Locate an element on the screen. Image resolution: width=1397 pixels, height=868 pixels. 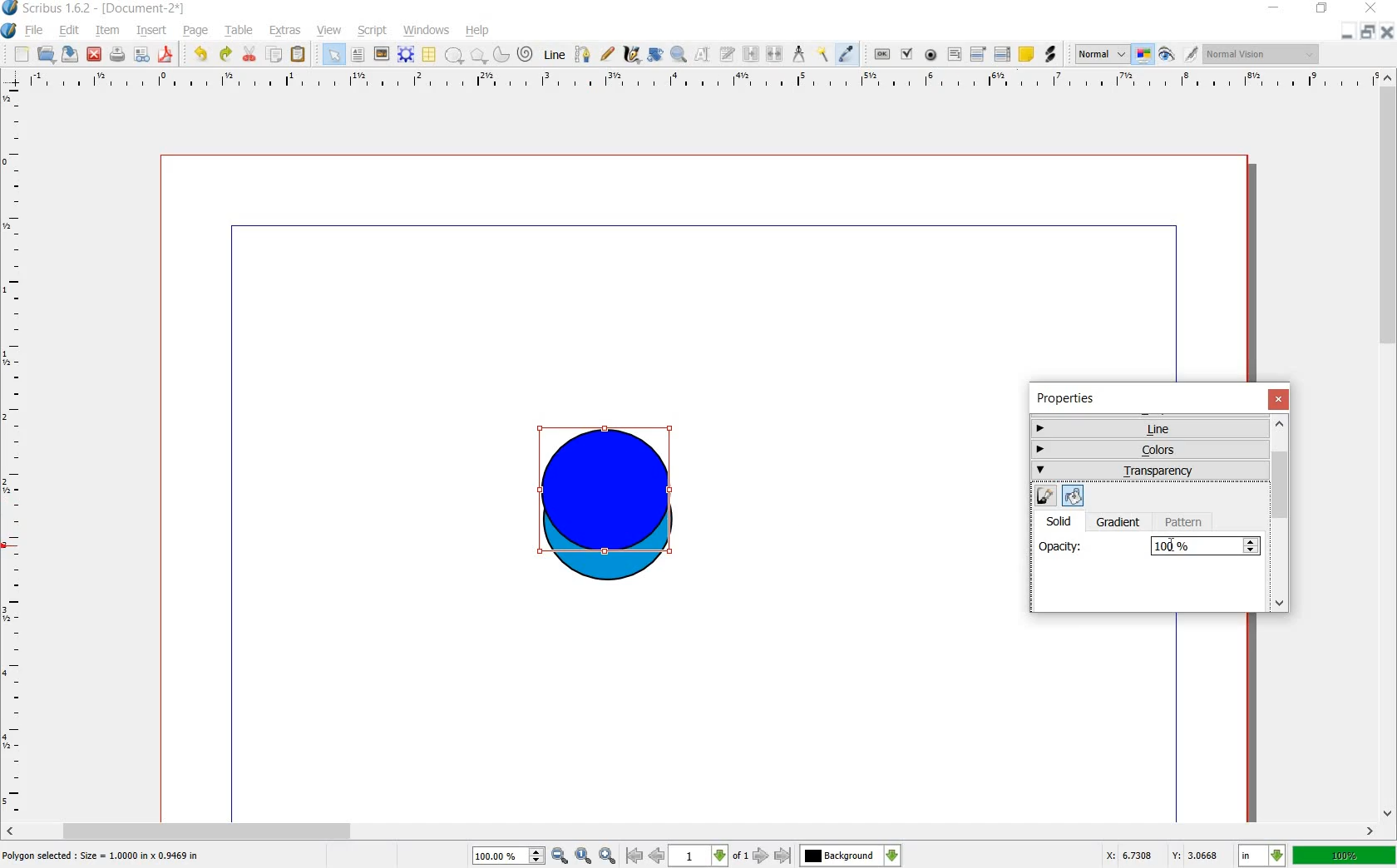
ruler is located at coordinates (701, 84).